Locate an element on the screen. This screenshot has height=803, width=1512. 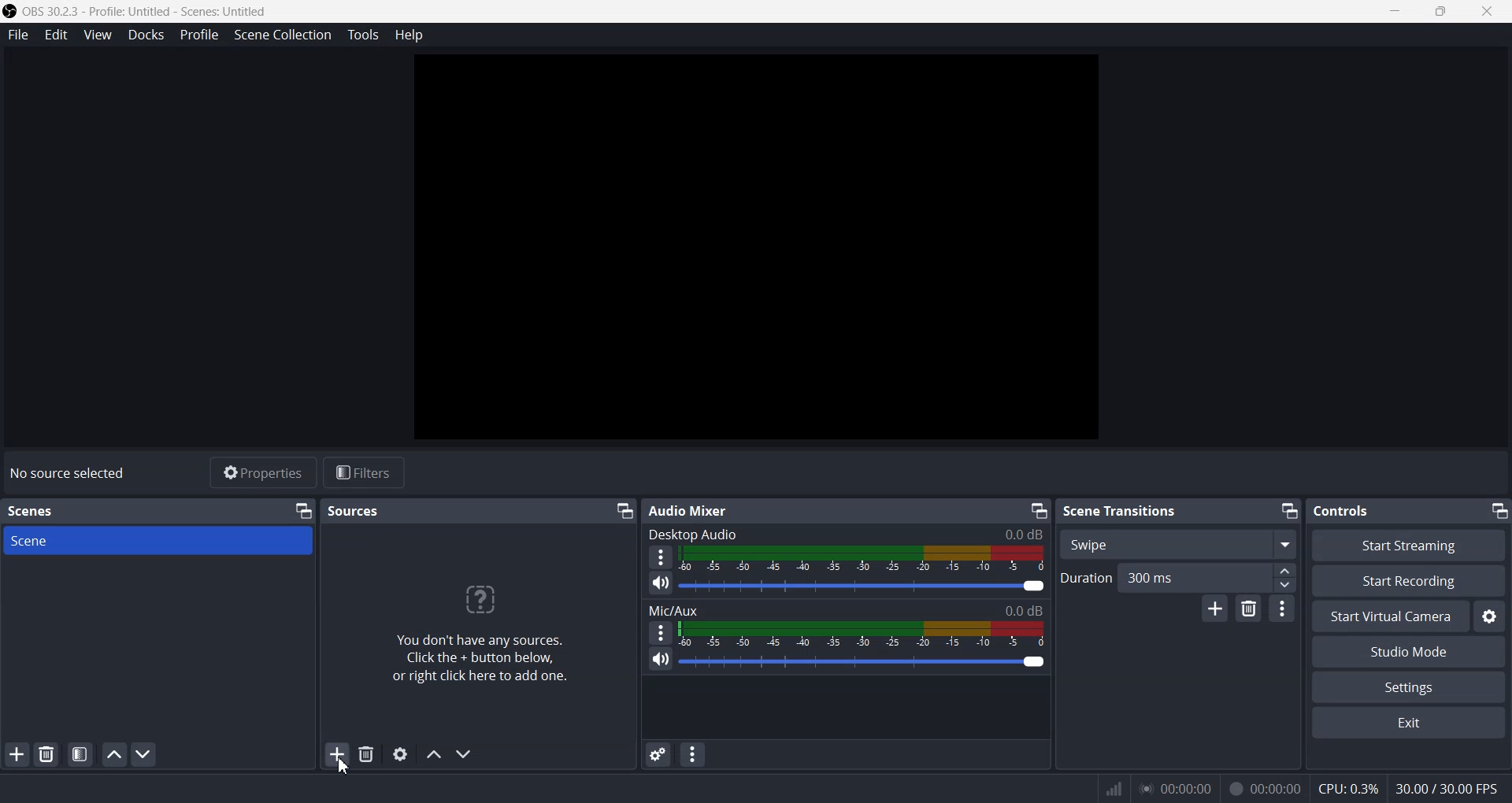
Volume Indicator is located at coordinates (862, 634).